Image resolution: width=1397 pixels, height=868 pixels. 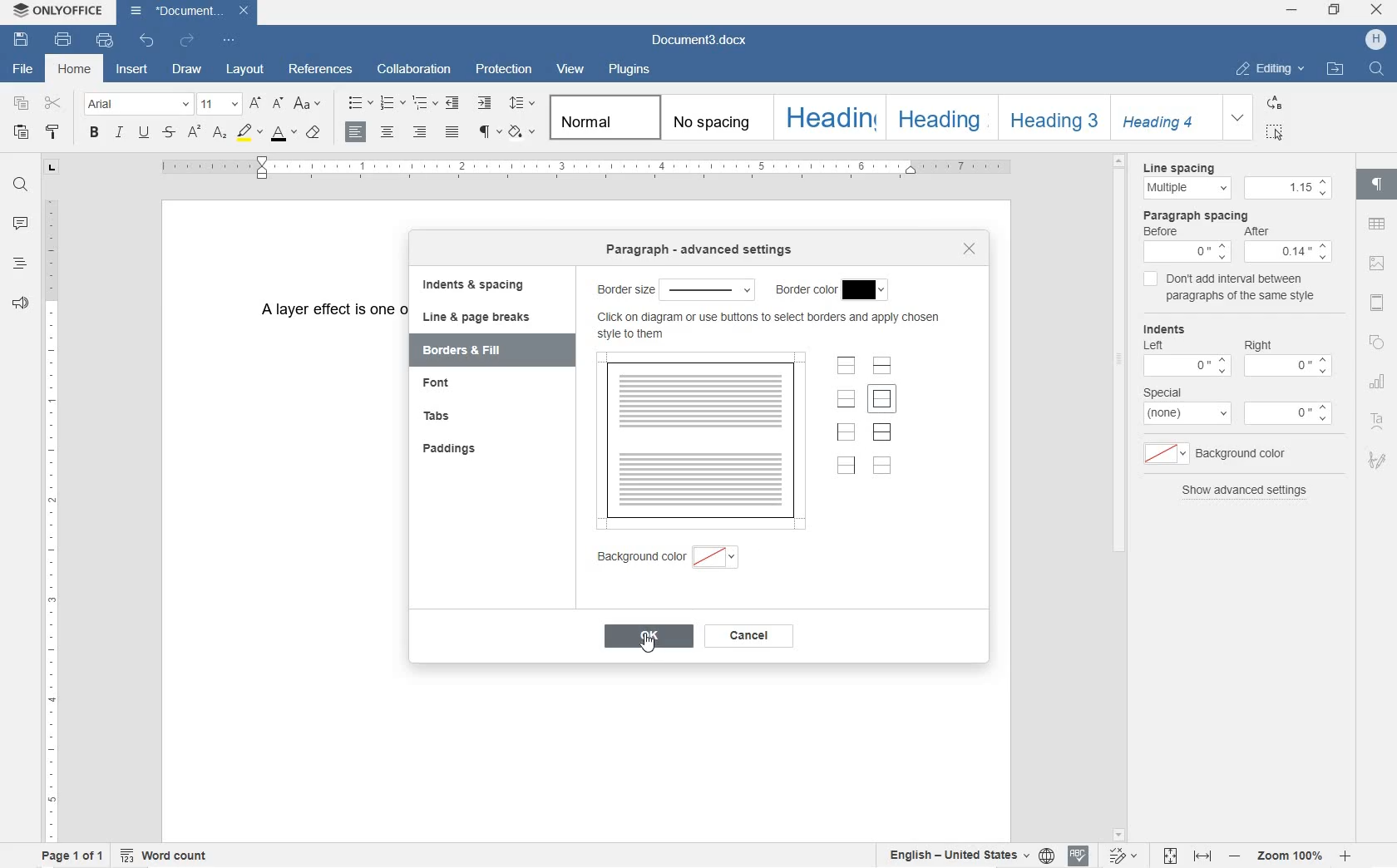 What do you see at coordinates (19, 185) in the screenshot?
I see `FIND` at bounding box center [19, 185].